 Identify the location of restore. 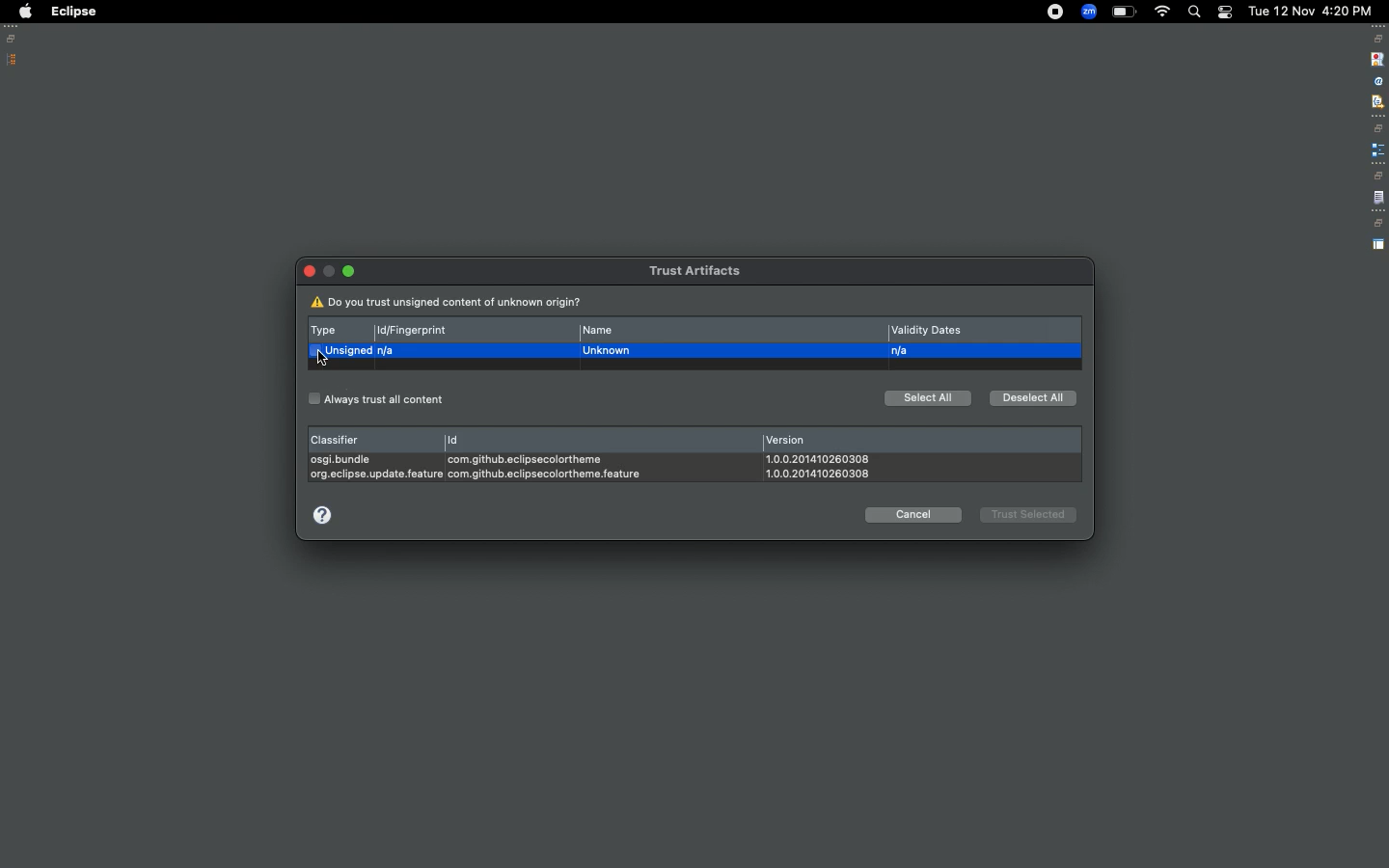
(1377, 176).